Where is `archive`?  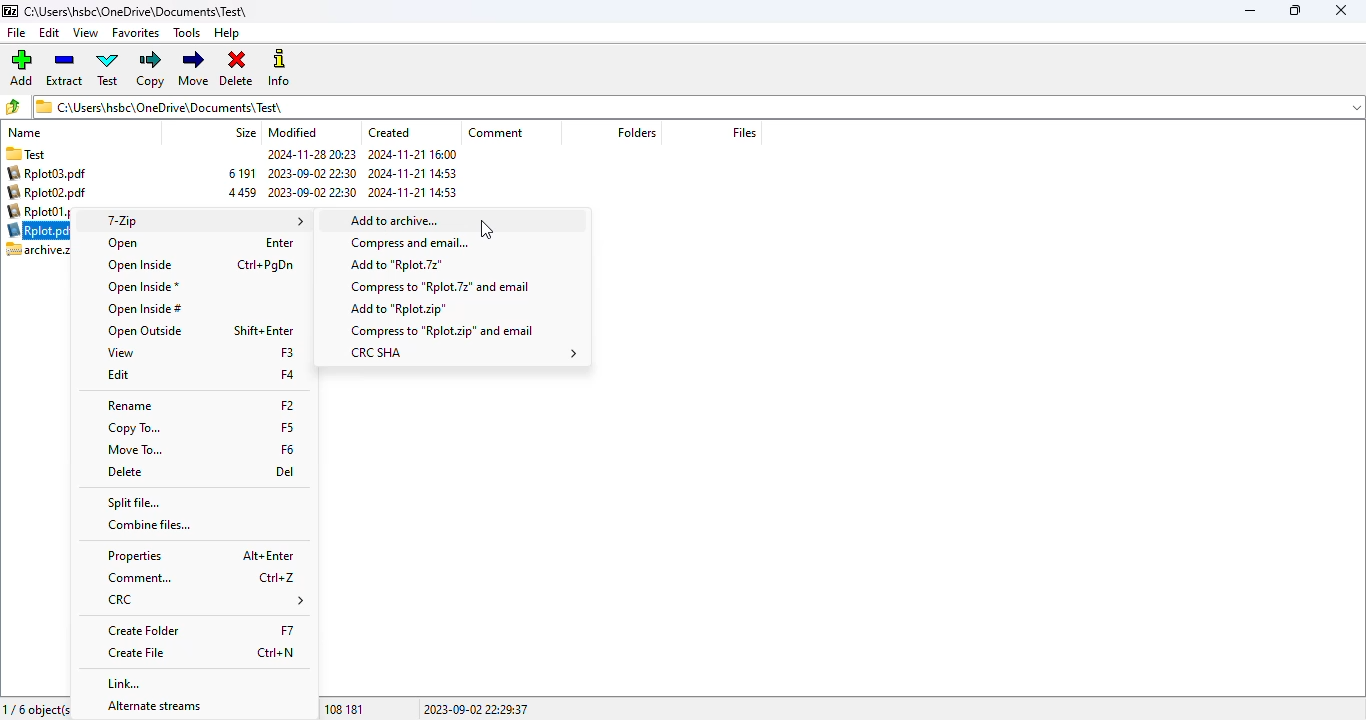 archive is located at coordinates (34, 250).